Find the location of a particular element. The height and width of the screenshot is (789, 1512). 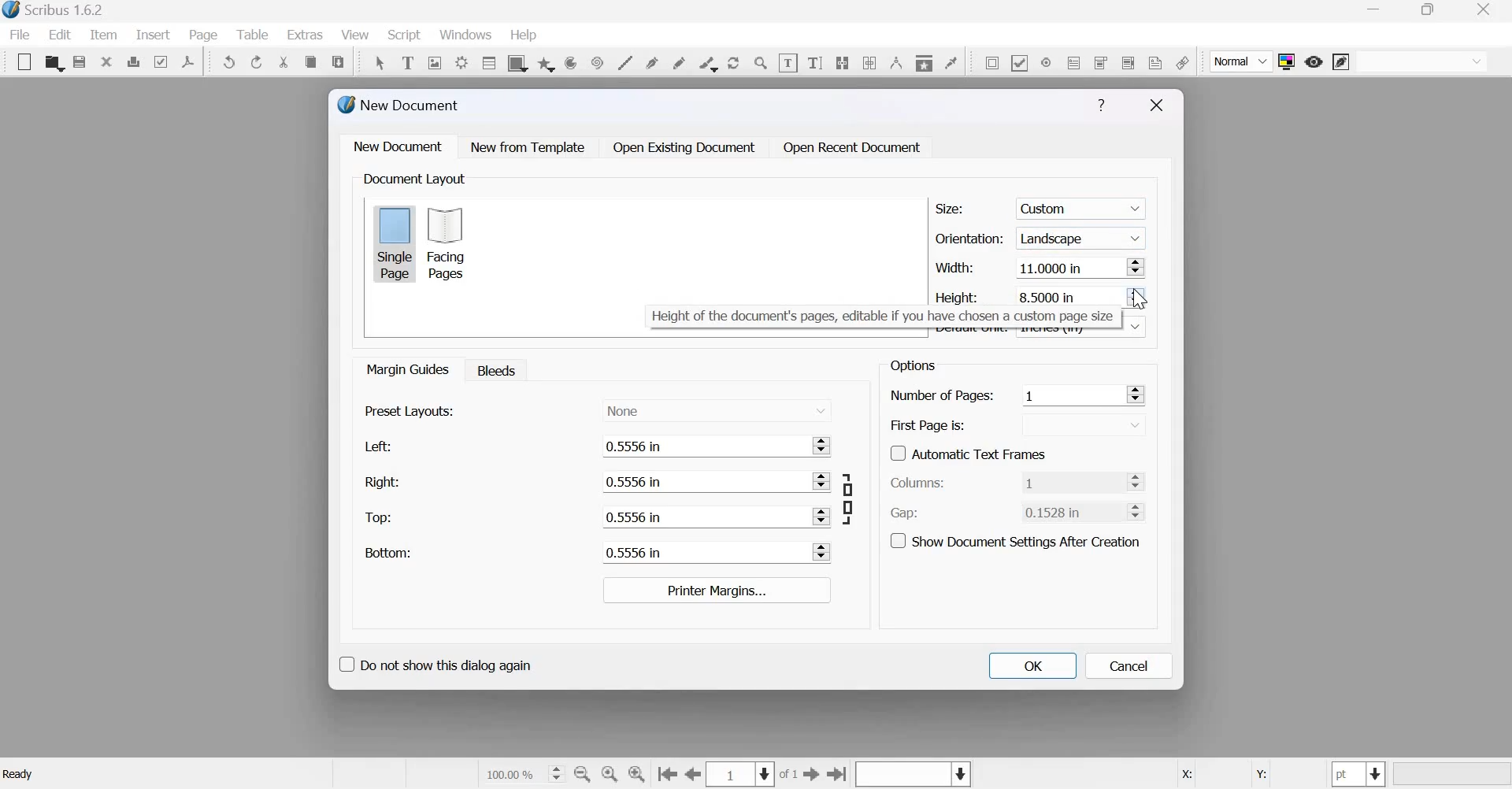

PDF radio button is located at coordinates (1045, 61).